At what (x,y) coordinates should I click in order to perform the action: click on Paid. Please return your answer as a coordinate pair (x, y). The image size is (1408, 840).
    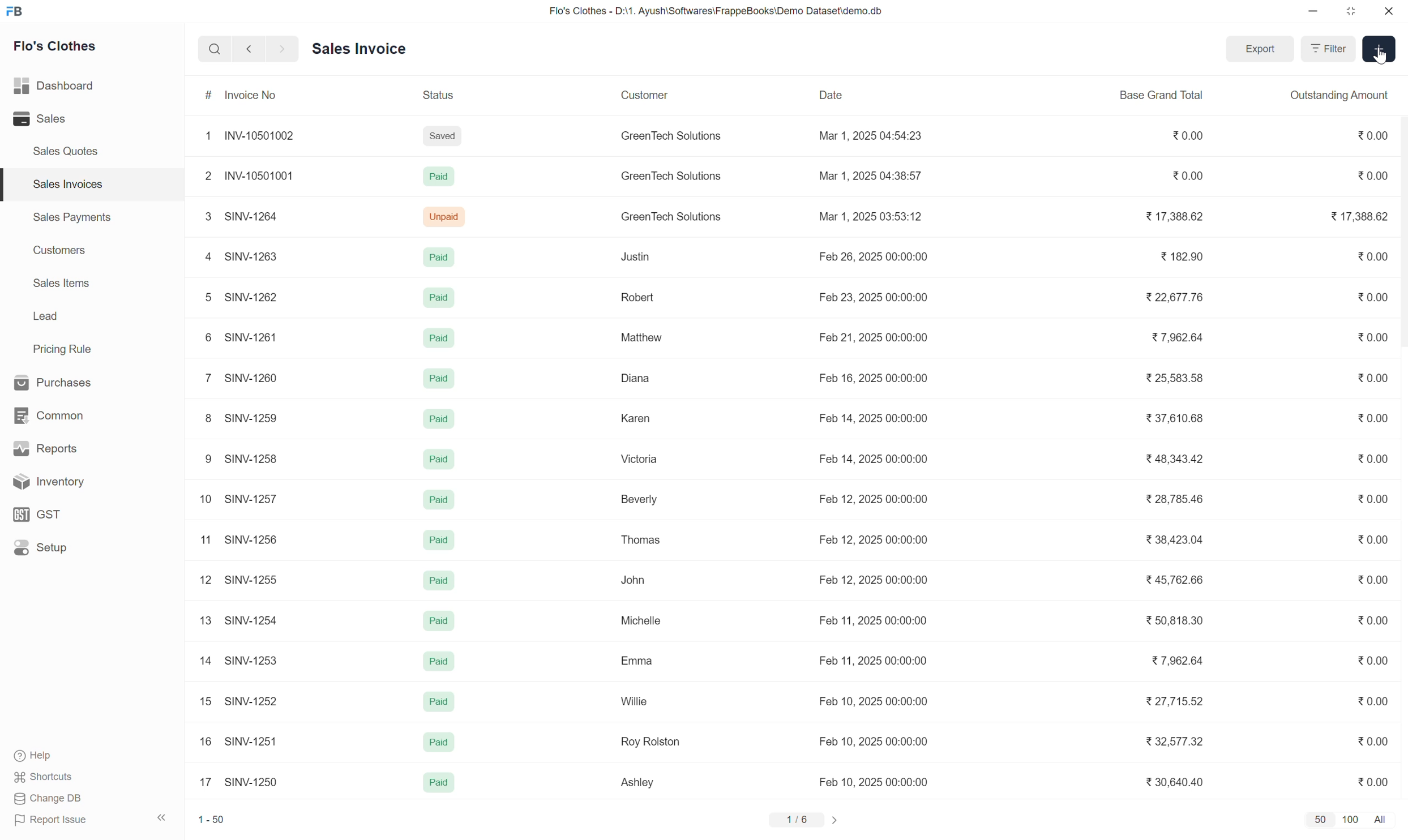
    Looking at the image, I should click on (431, 786).